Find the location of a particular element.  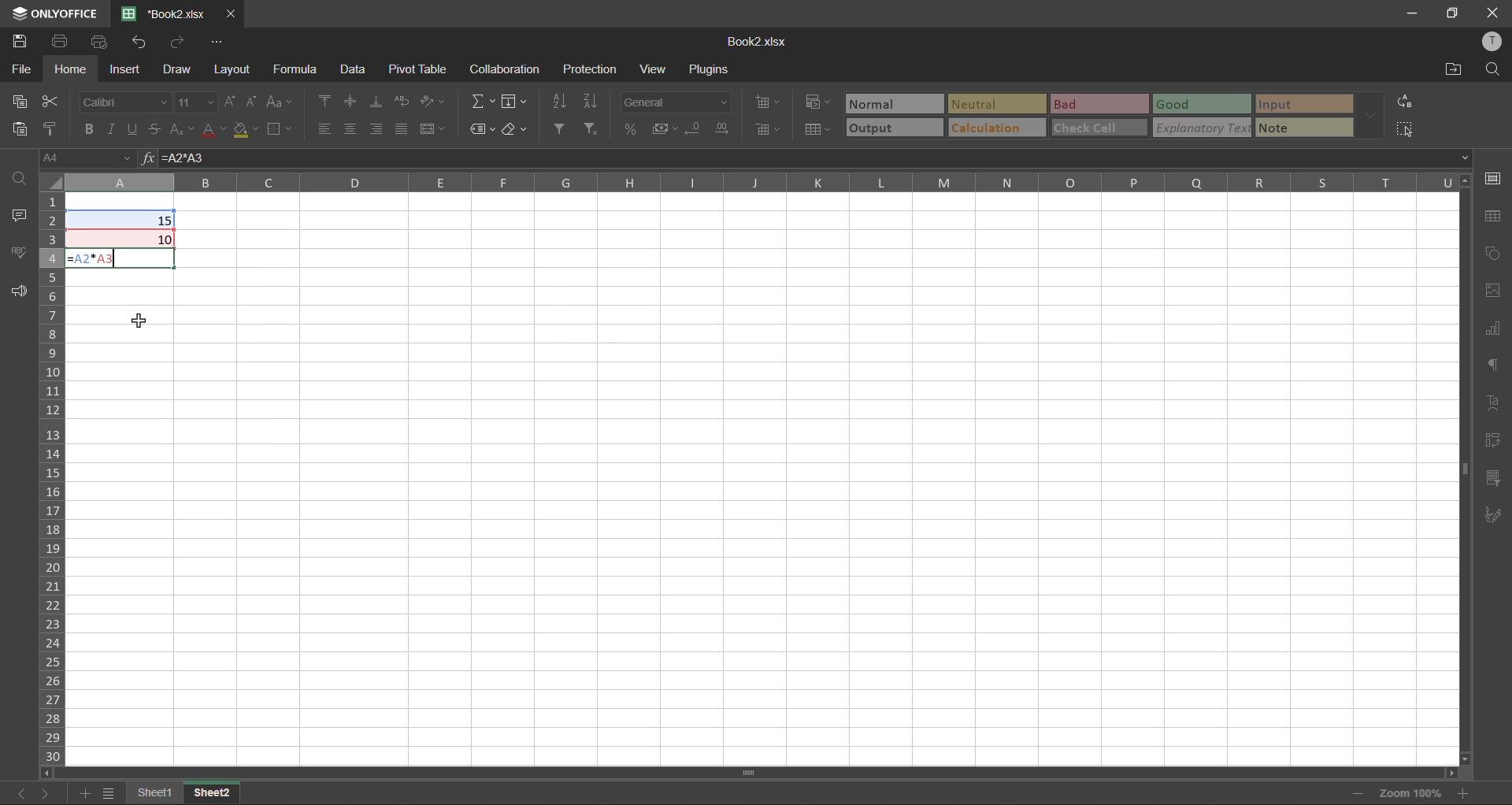

column names in alphabets is located at coordinates (764, 181).